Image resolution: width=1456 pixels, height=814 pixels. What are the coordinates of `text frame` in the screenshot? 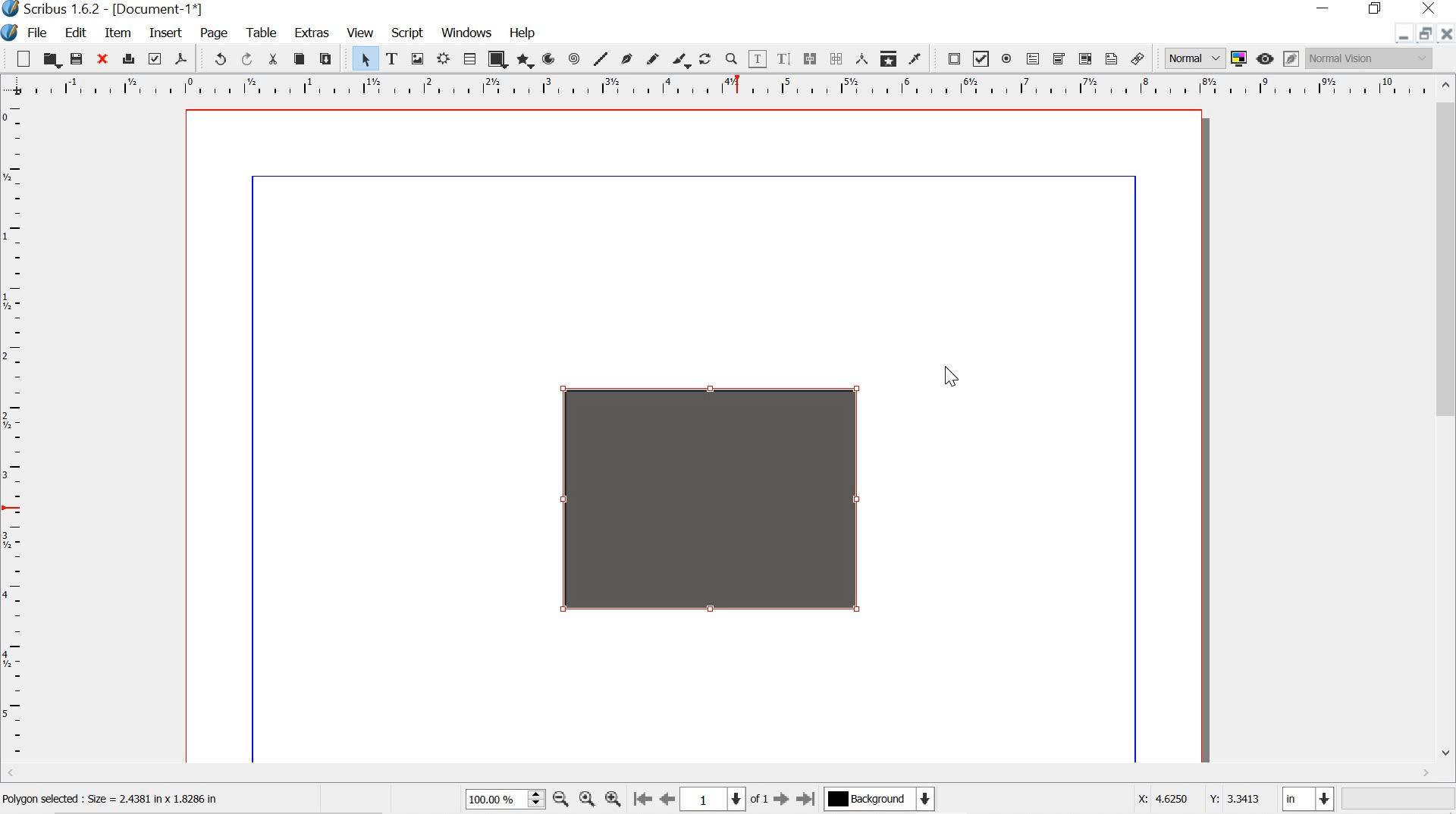 It's located at (393, 58).